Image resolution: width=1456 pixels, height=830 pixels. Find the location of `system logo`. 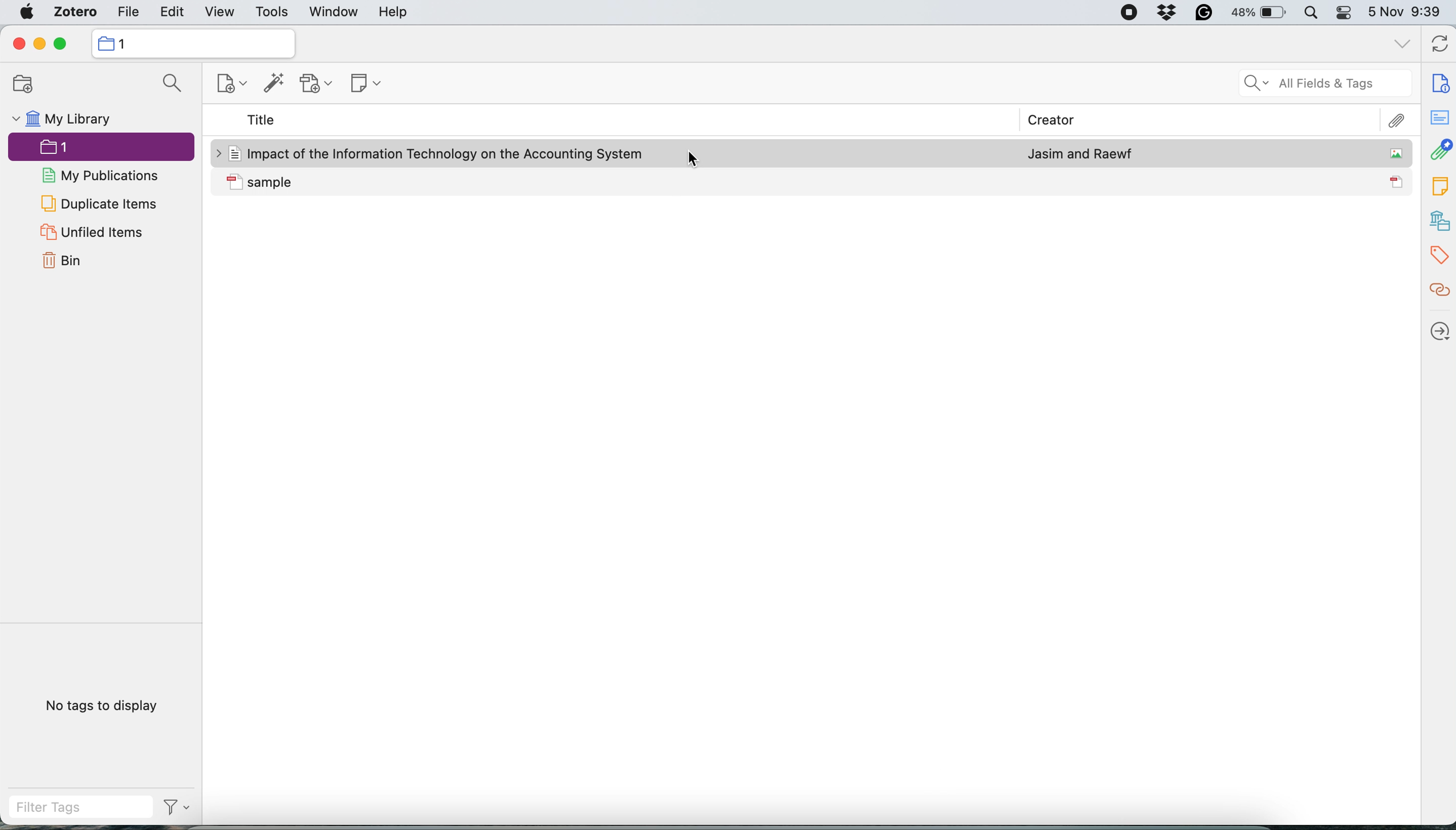

system logo is located at coordinates (26, 13).